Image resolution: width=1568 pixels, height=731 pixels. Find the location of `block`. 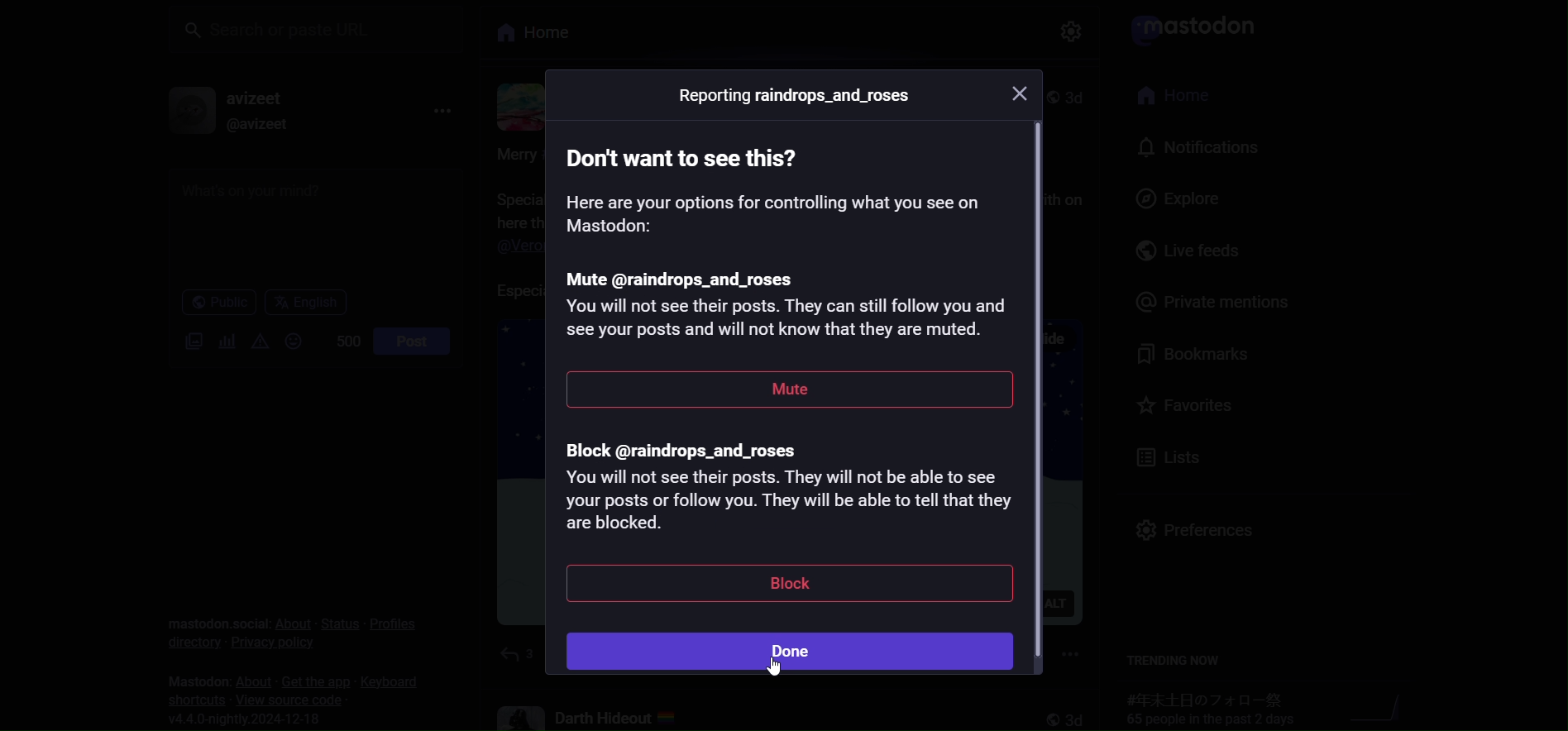

block is located at coordinates (788, 585).